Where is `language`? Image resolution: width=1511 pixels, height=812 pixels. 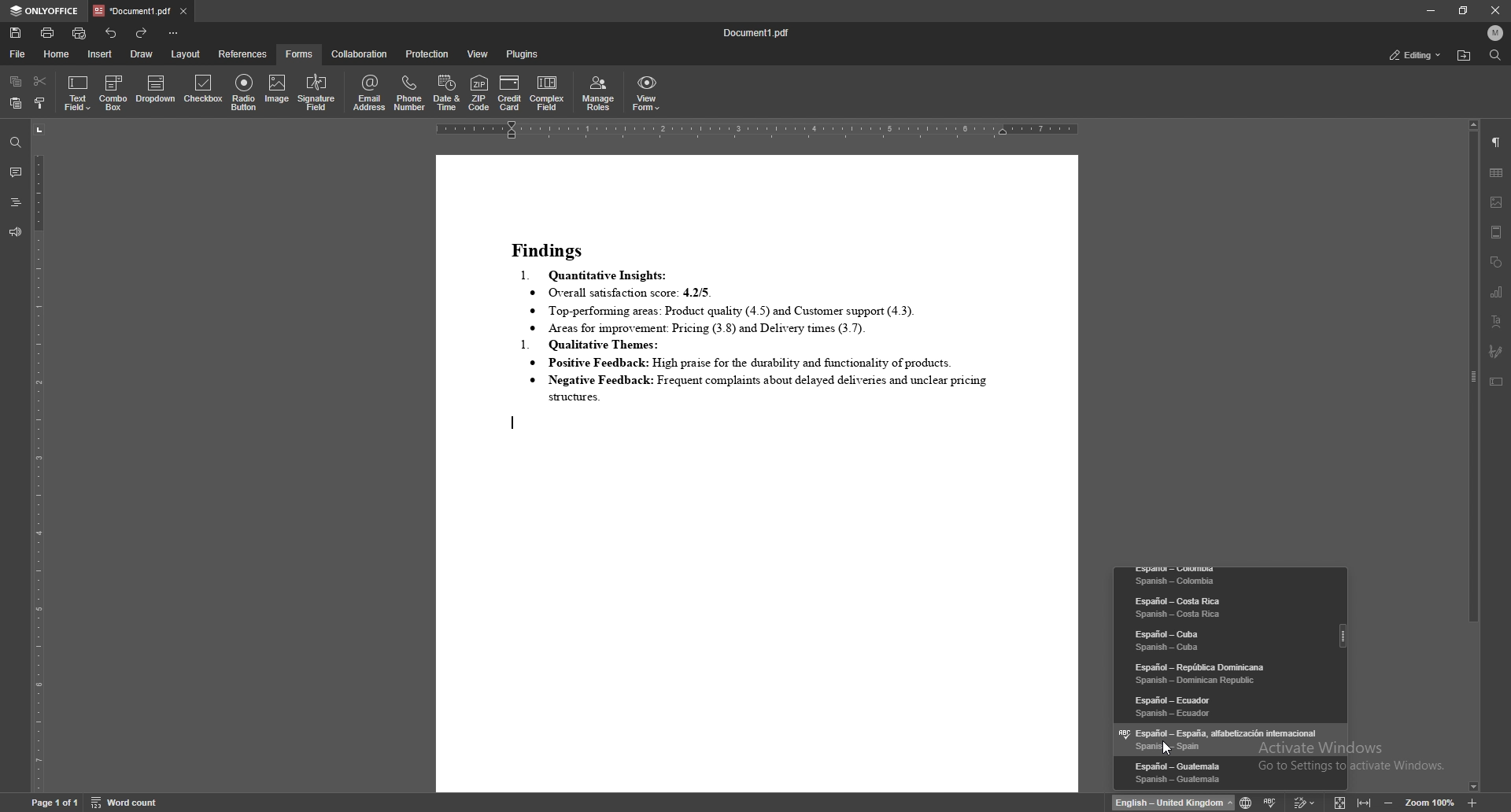
language is located at coordinates (1221, 672).